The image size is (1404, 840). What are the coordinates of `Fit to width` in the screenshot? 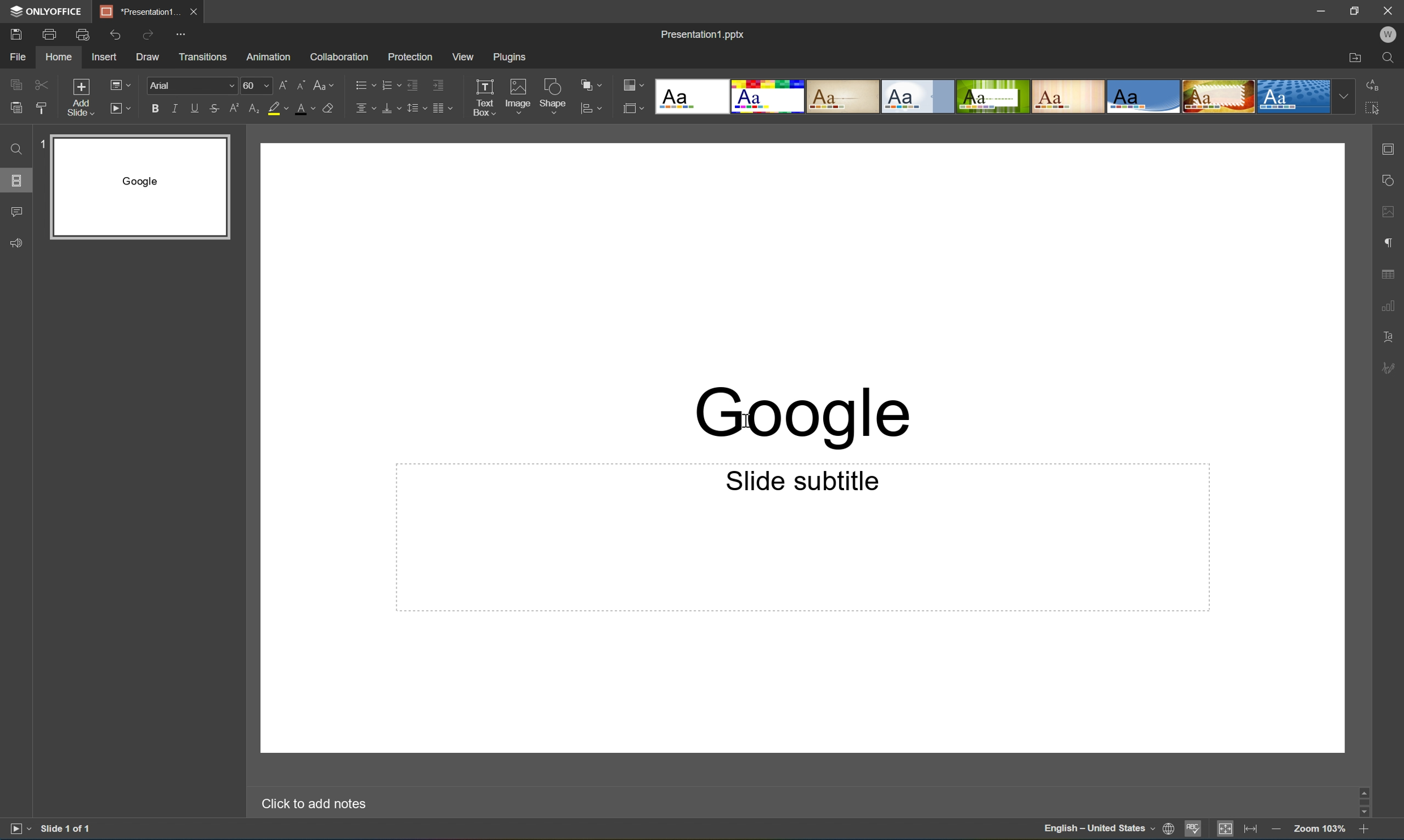 It's located at (1255, 829).